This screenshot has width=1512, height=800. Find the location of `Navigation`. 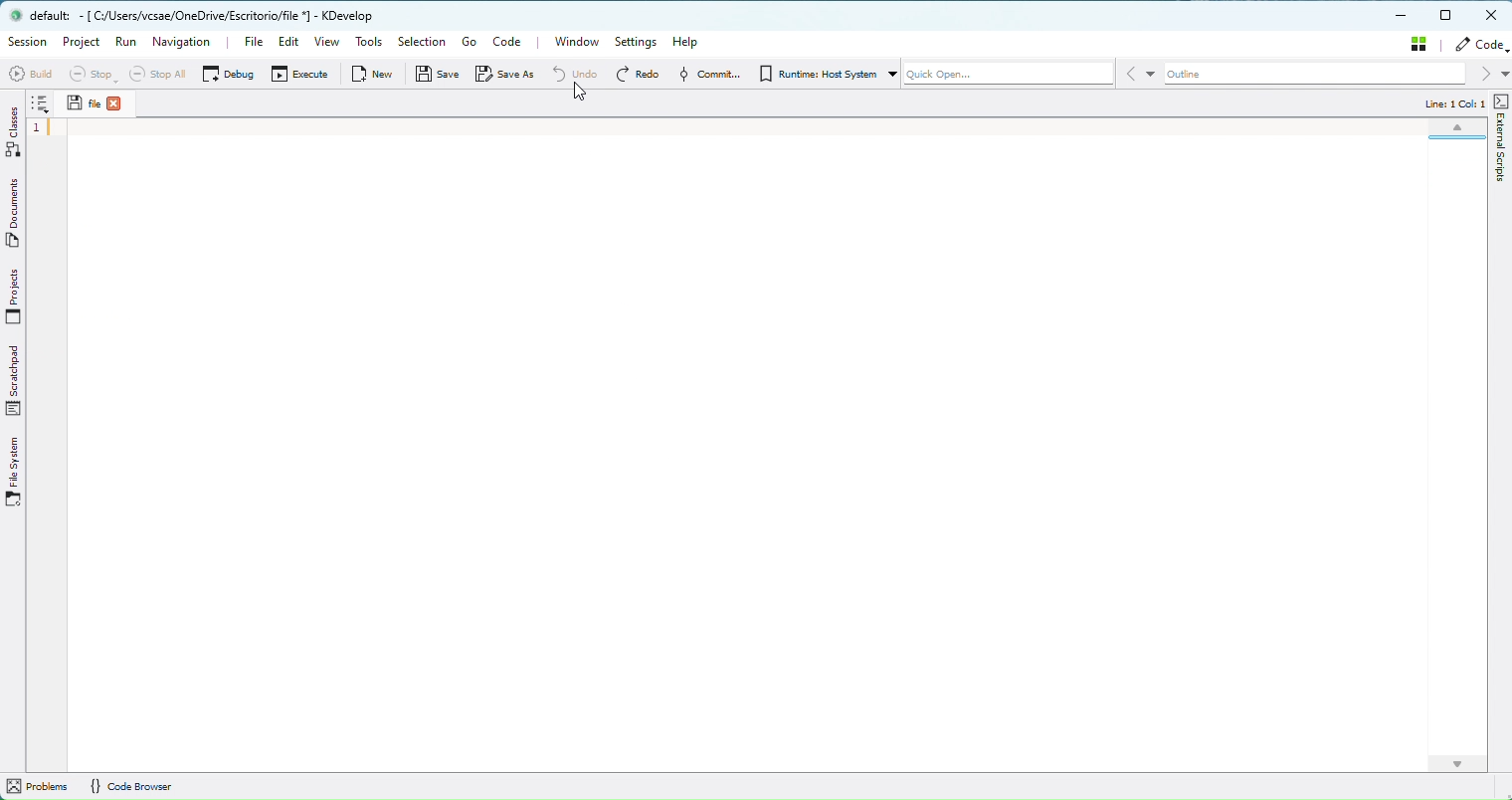

Navigation is located at coordinates (182, 43).